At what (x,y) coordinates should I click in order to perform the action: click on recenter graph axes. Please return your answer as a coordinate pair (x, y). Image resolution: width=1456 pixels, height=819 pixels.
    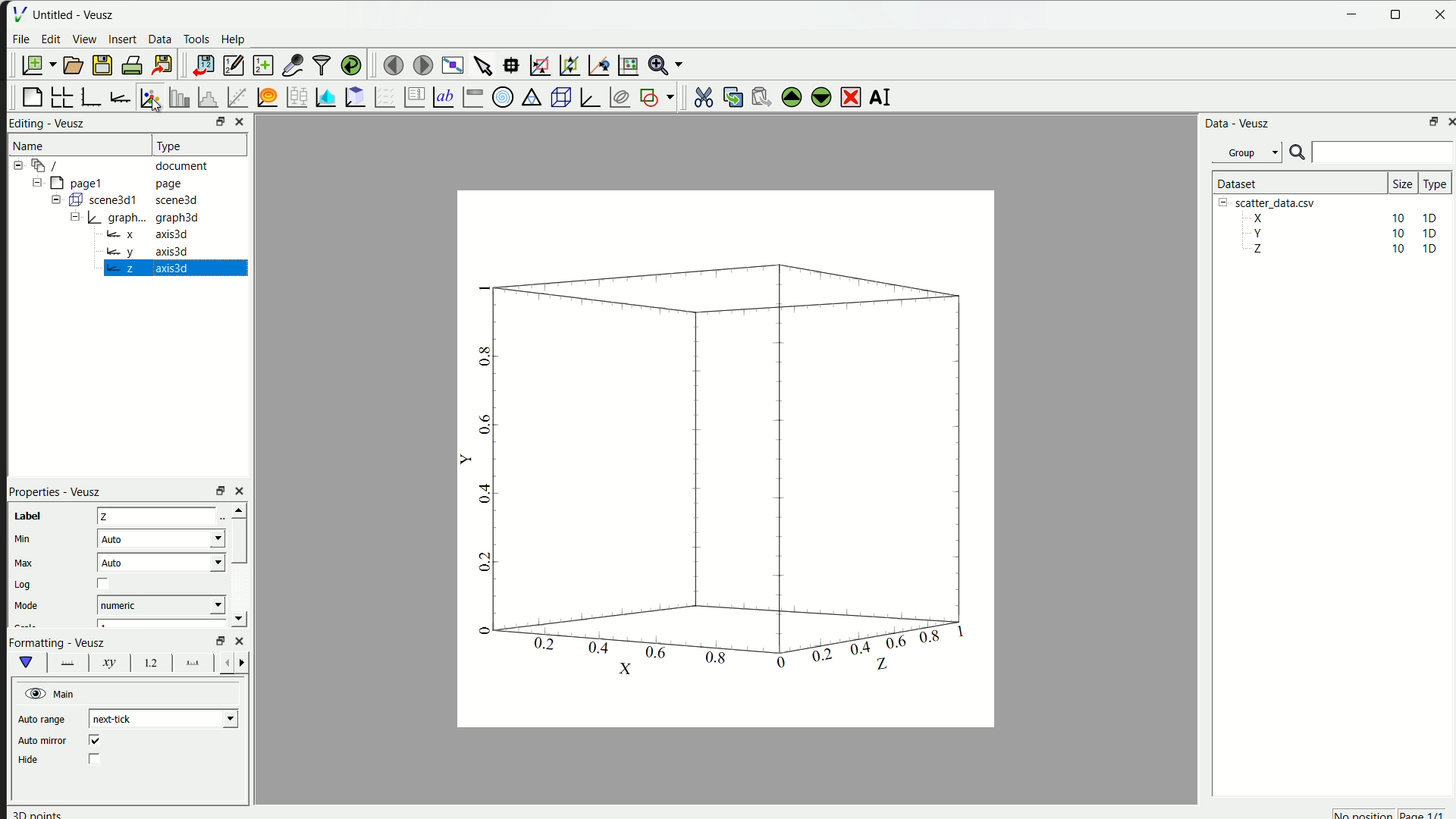
    Looking at the image, I should click on (595, 62).